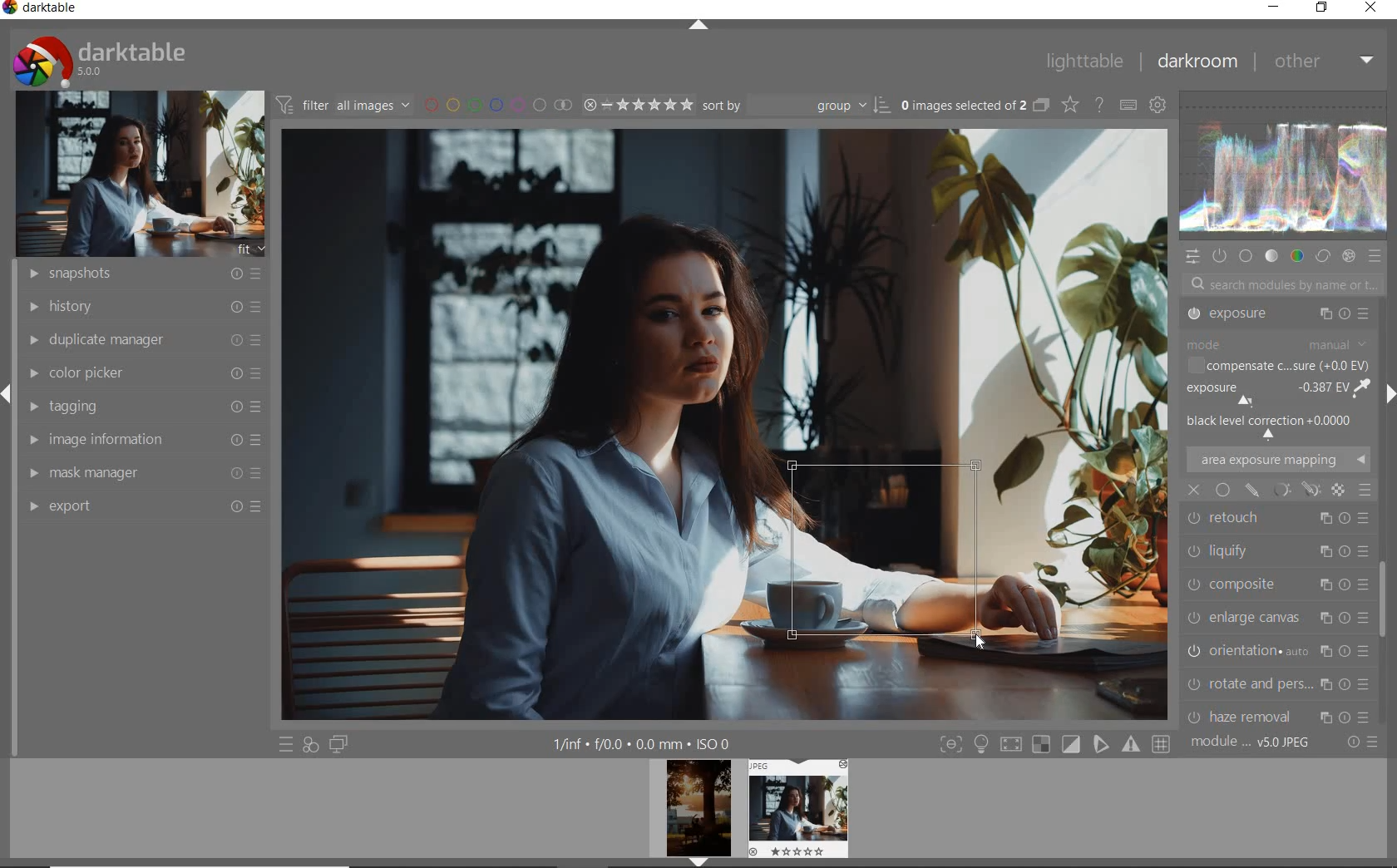 This screenshot has height=868, width=1397. What do you see at coordinates (141, 308) in the screenshot?
I see `HISTORY` at bounding box center [141, 308].